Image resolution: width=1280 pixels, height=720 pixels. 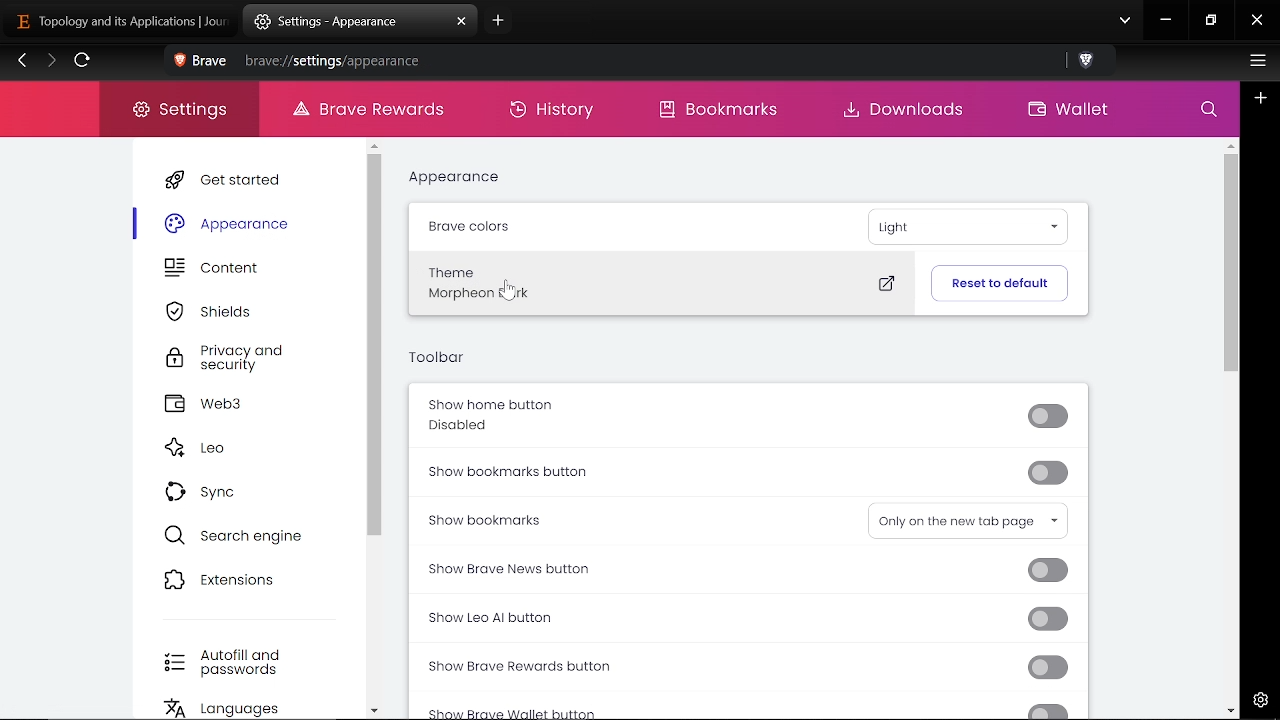 I want to click on Light, so click(x=973, y=222).